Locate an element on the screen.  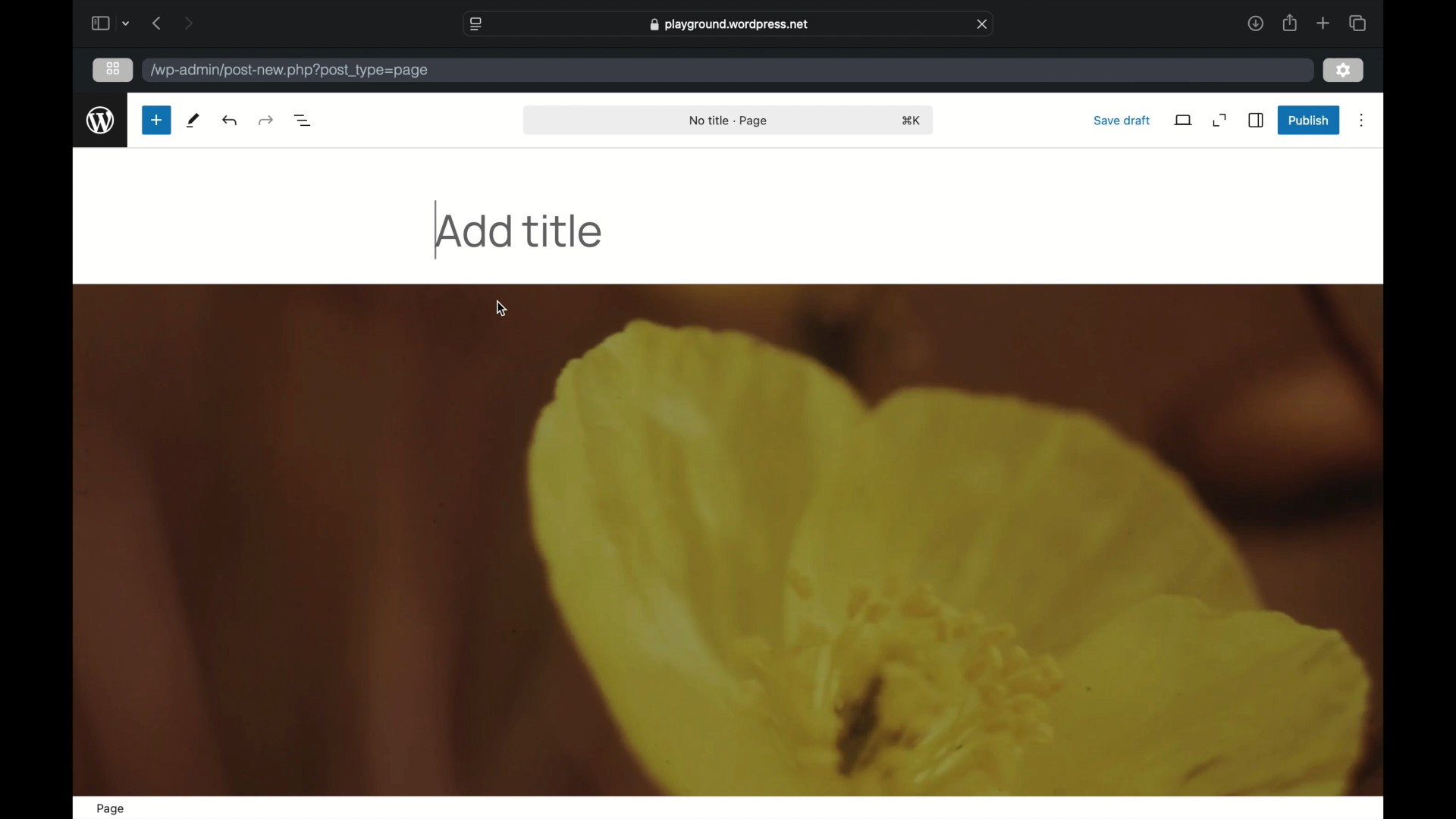
downloads is located at coordinates (1255, 23).